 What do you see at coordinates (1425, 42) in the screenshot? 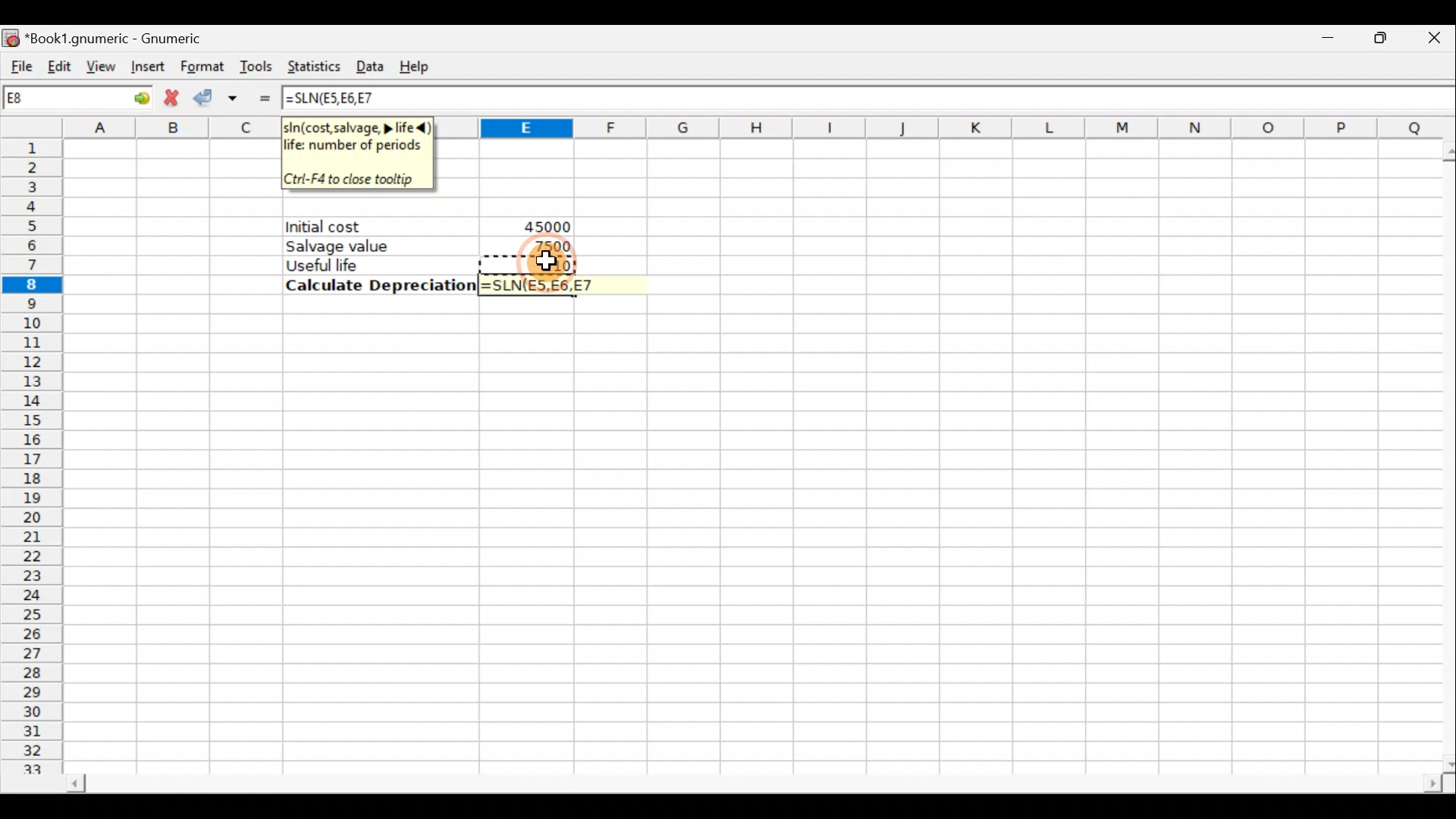
I see `Close` at bounding box center [1425, 42].